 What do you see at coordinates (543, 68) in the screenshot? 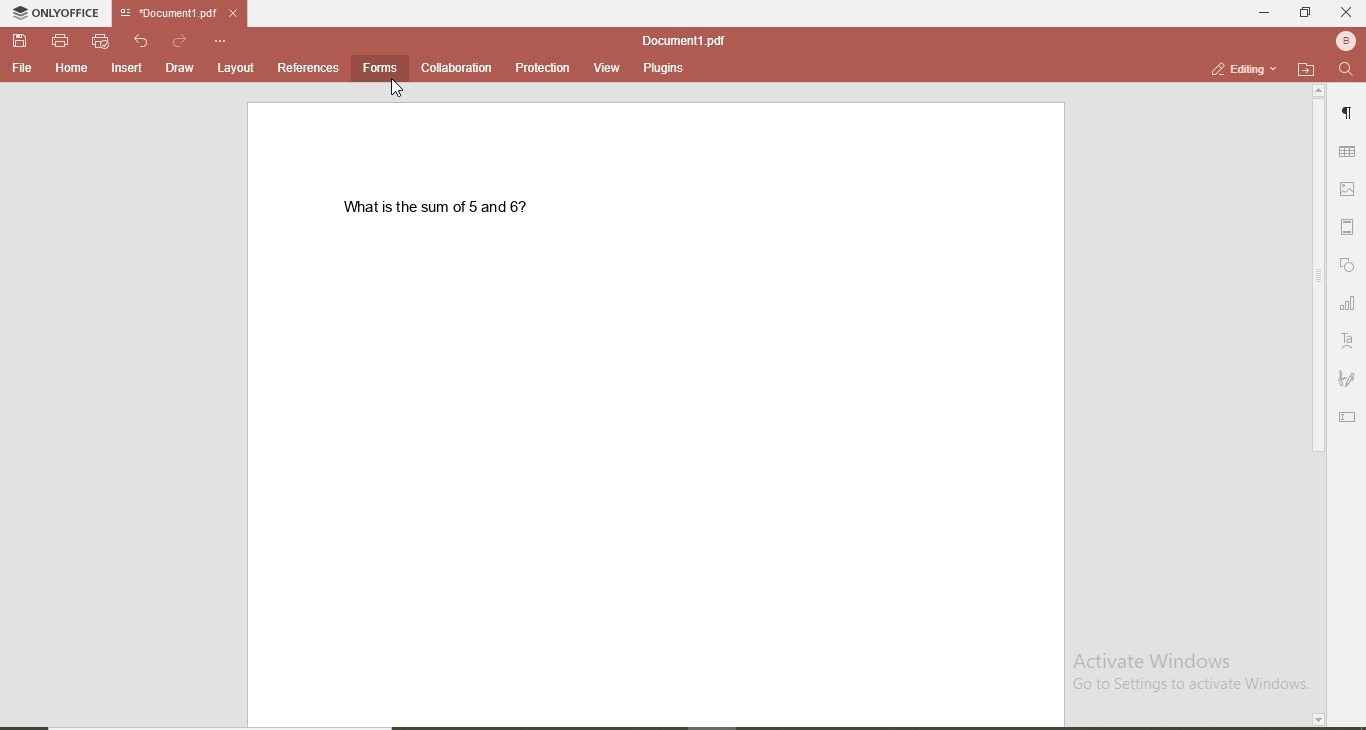
I see `protection` at bounding box center [543, 68].